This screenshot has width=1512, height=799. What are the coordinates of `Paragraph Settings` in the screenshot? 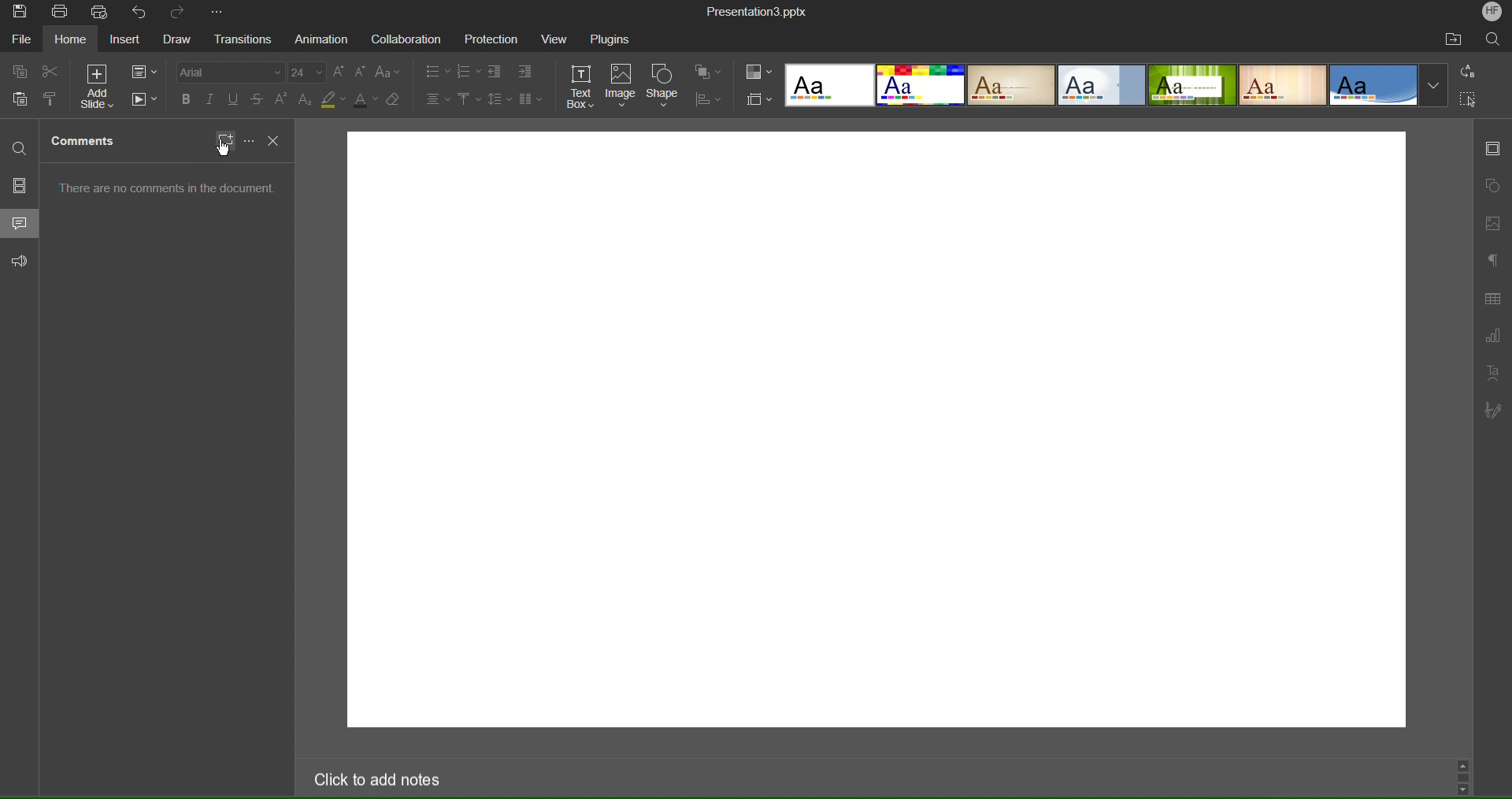 It's located at (1492, 258).